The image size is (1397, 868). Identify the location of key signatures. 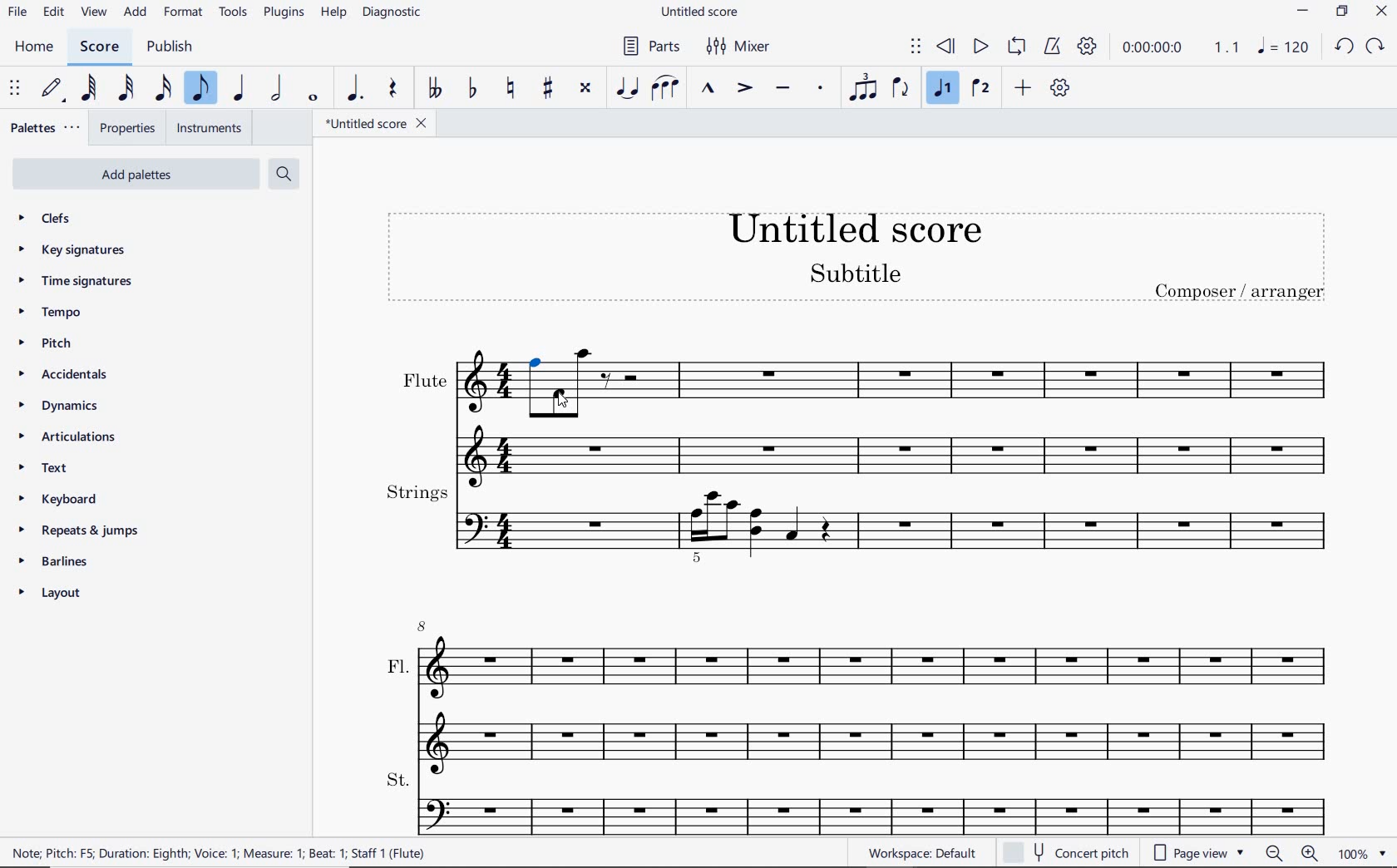
(76, 253).